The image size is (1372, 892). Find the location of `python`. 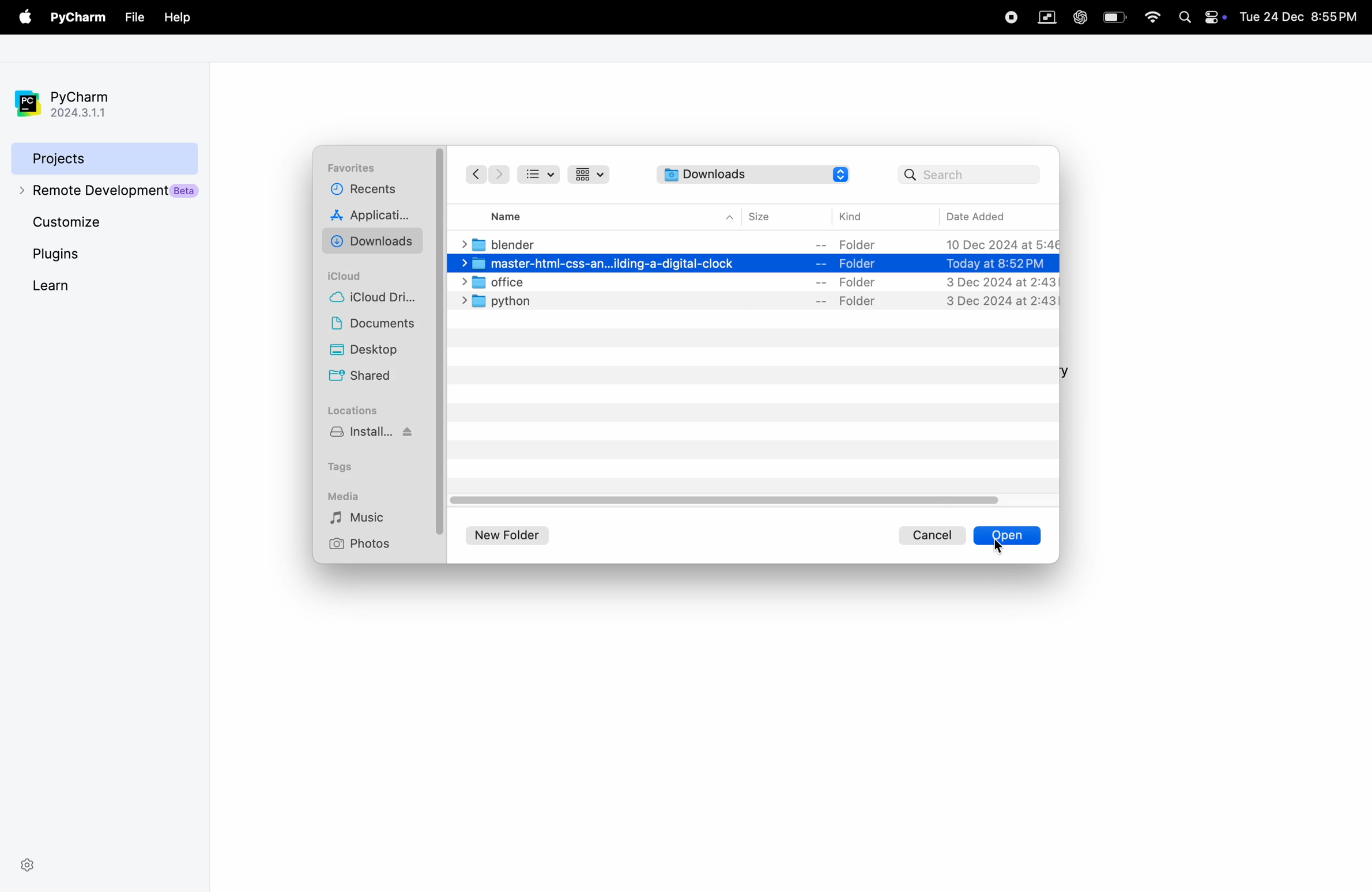

python is located at coordinates (756, 301).